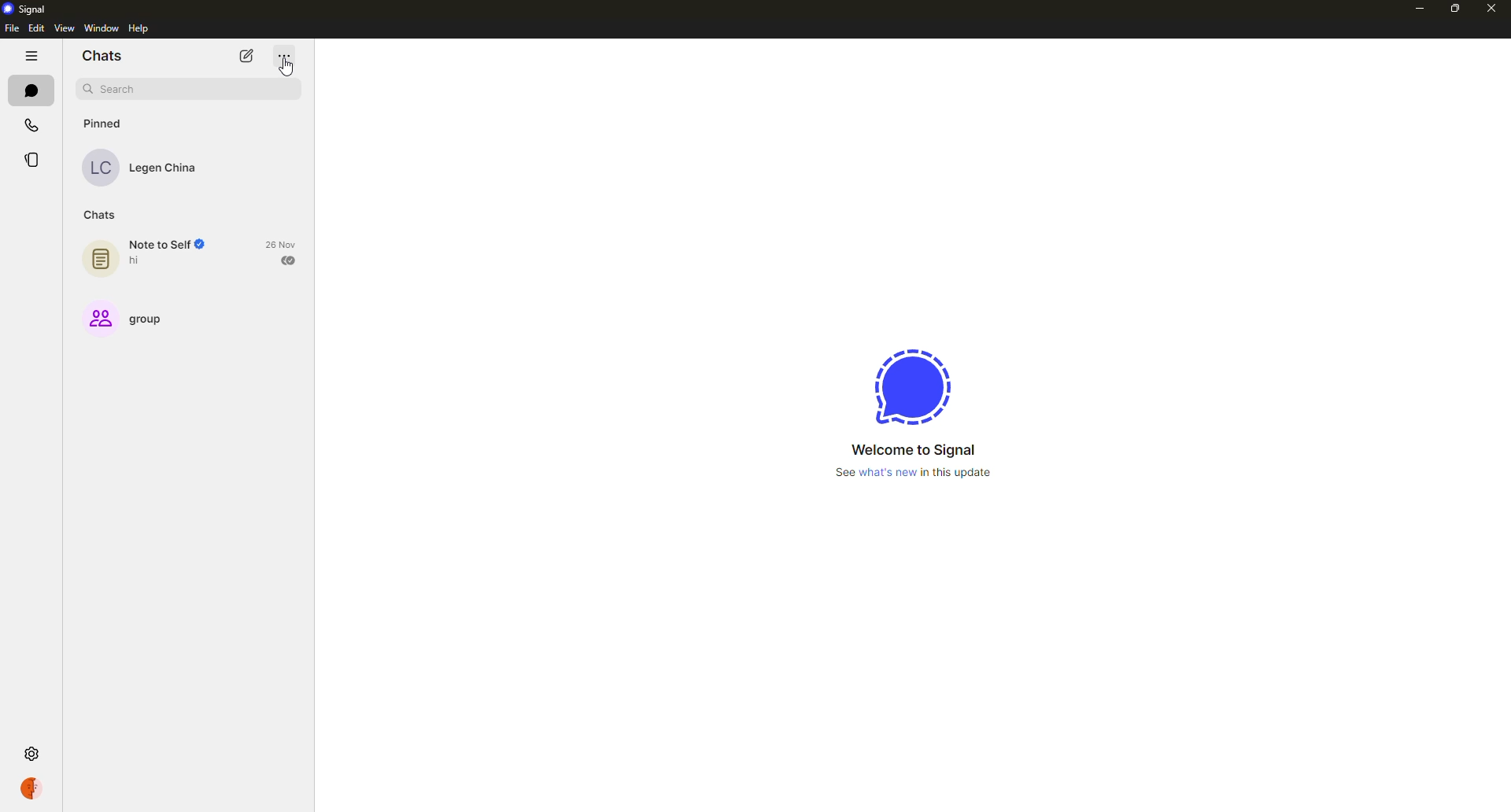 This screenshot has height=812, width=1511. I want to click on calls, so click(33, 124).